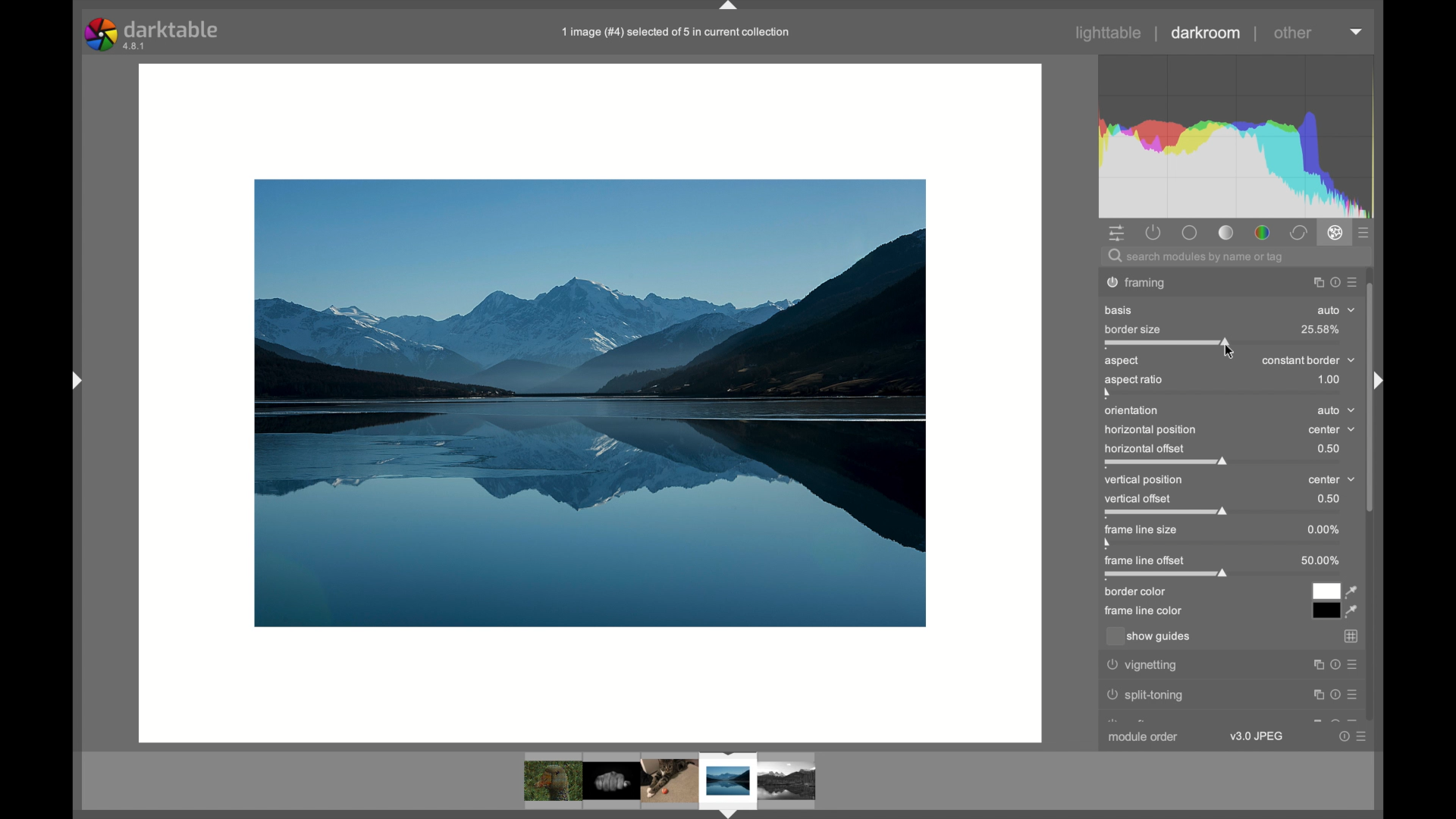 The width and height of the screenshot is (1456, 819). Describe the element at coordinates (1332, 431) in the screenshot. I see `center dropdown` at that location.